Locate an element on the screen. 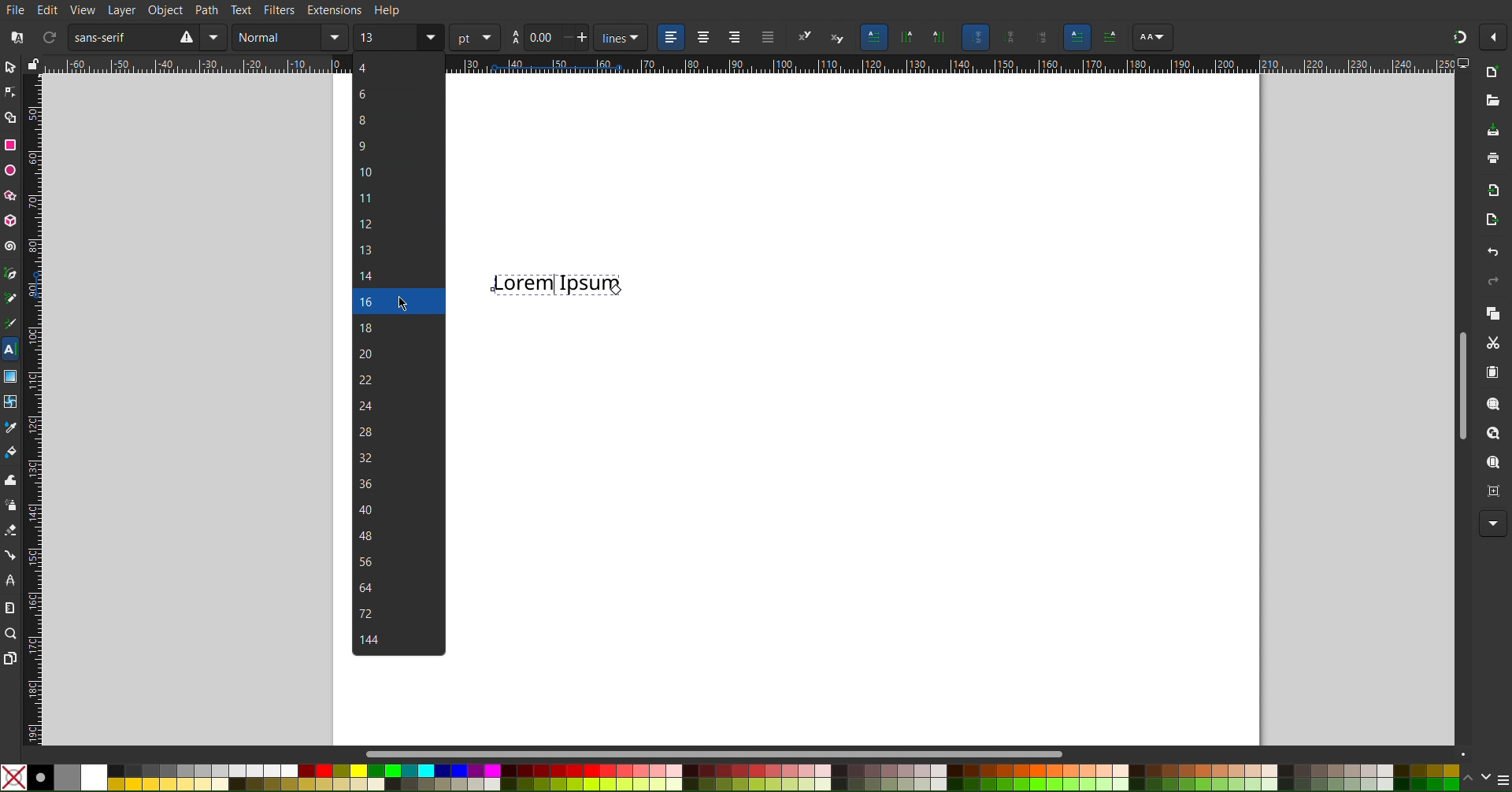   is located at coordinates (1039, 39).